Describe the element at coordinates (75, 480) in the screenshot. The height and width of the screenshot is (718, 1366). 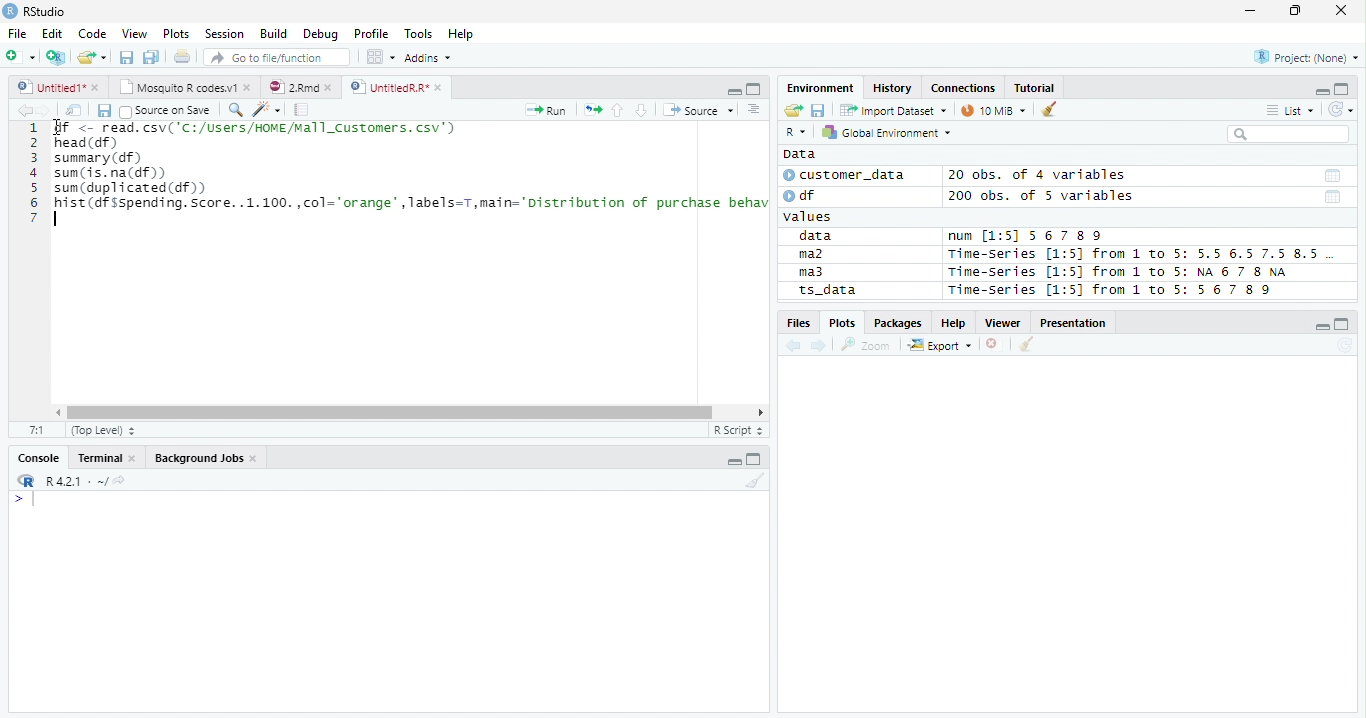
I see `R 4.2.1 ~/` at that location.